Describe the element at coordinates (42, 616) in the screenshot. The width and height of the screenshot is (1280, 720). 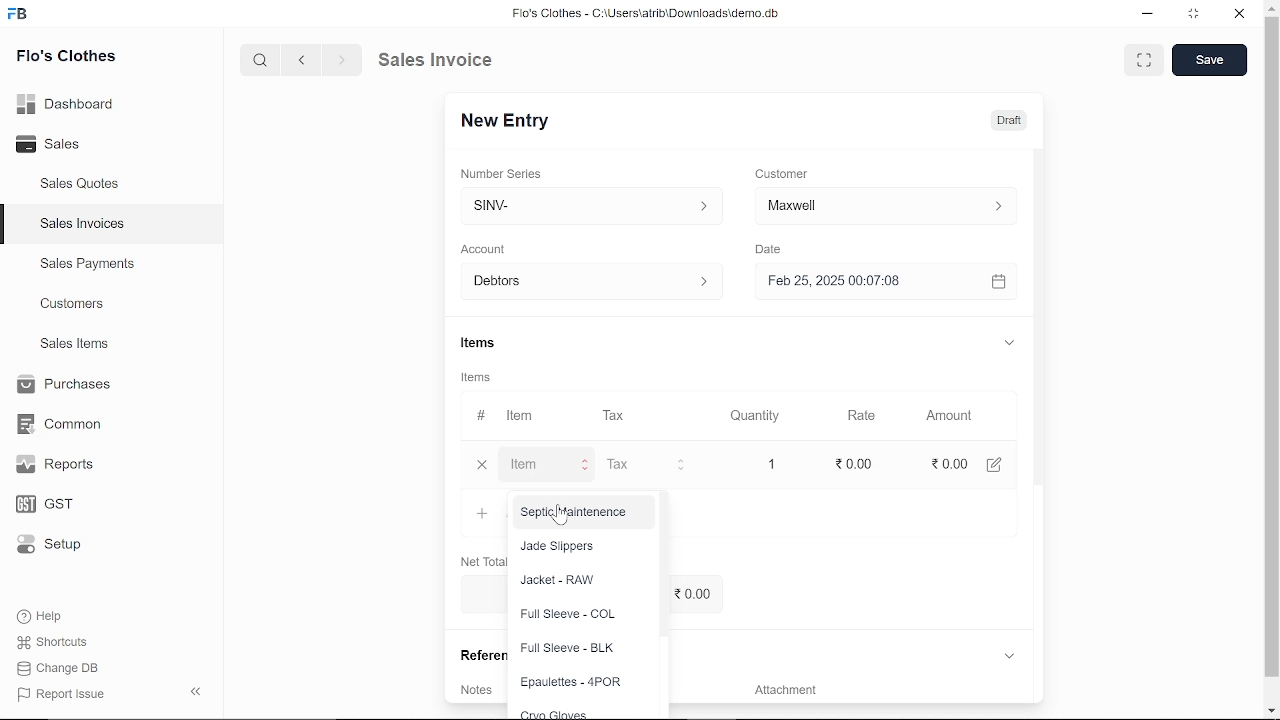
I see `Help` at that location.